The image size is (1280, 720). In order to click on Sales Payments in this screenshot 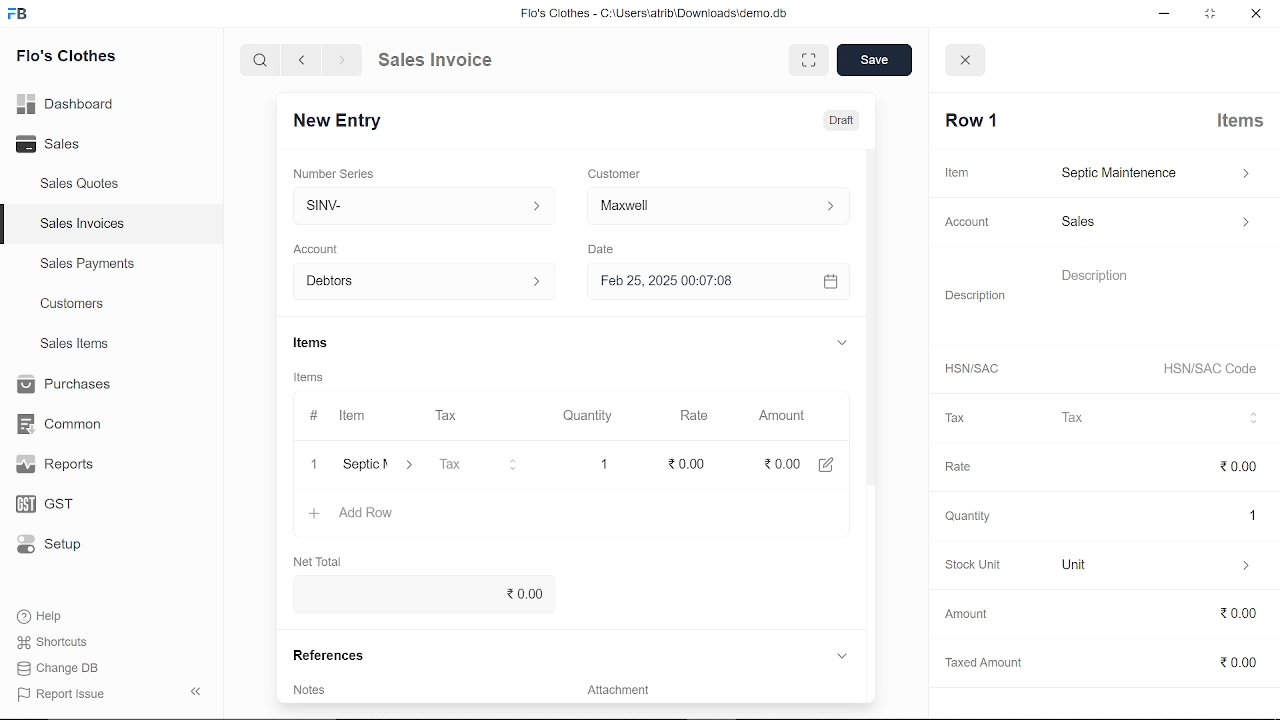, I will do `click(87, 264)`.